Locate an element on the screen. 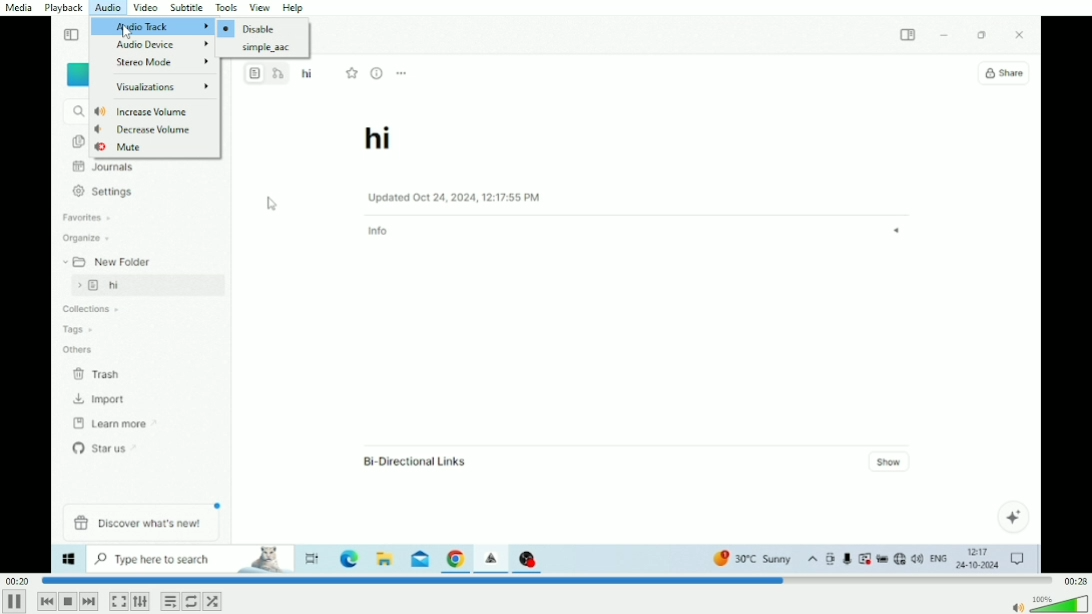  Media is located at coordinates (20, 8).